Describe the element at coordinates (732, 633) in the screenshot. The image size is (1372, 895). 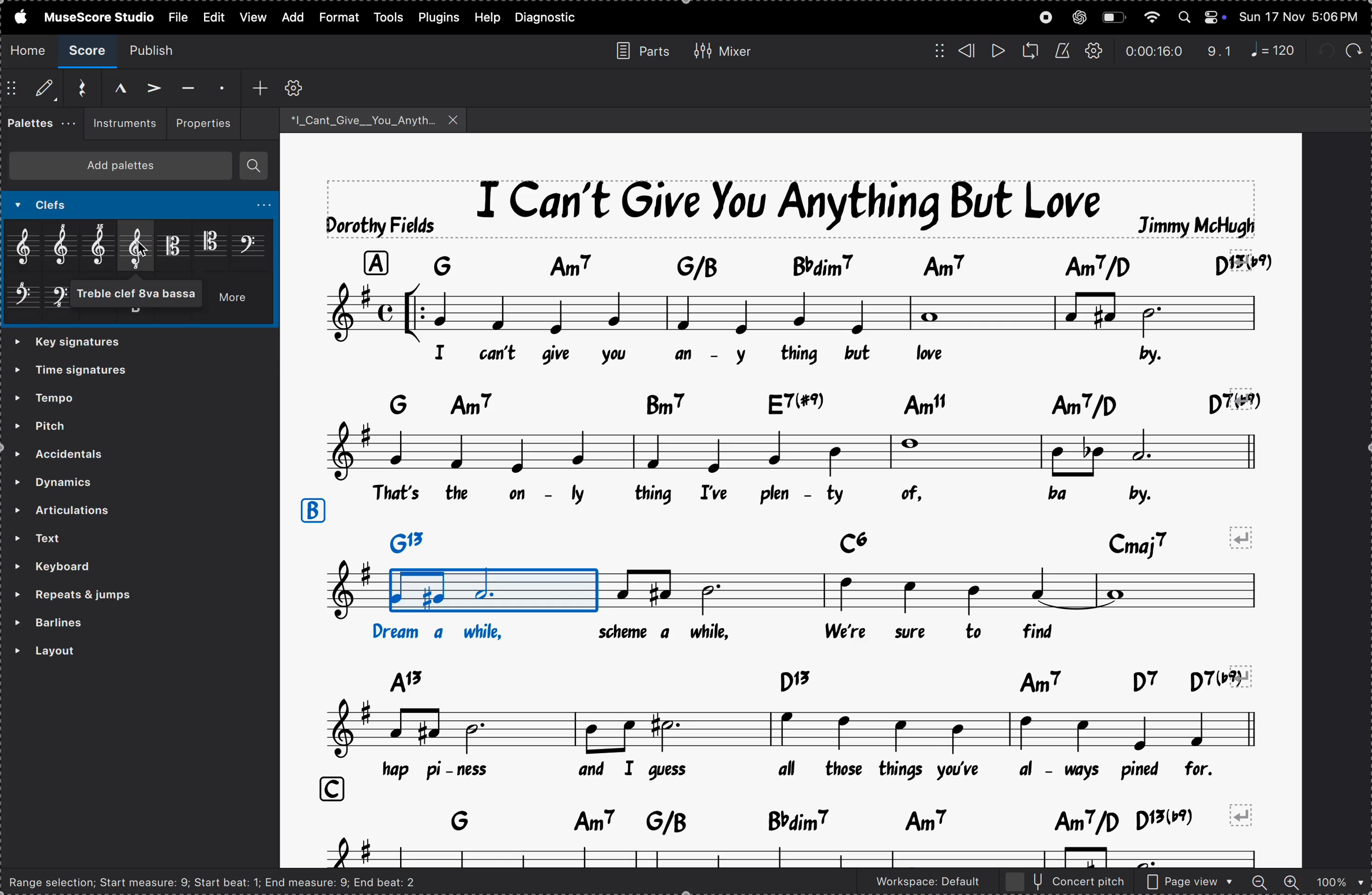
I see `lyrics` at that location.